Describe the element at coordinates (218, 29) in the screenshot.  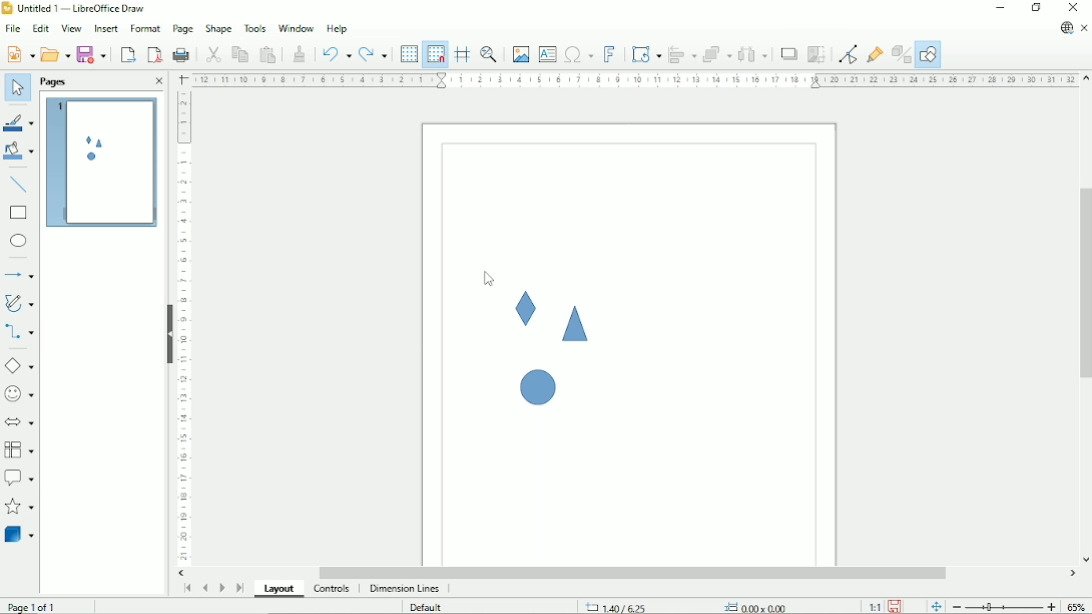
I see `Shape` at that location.